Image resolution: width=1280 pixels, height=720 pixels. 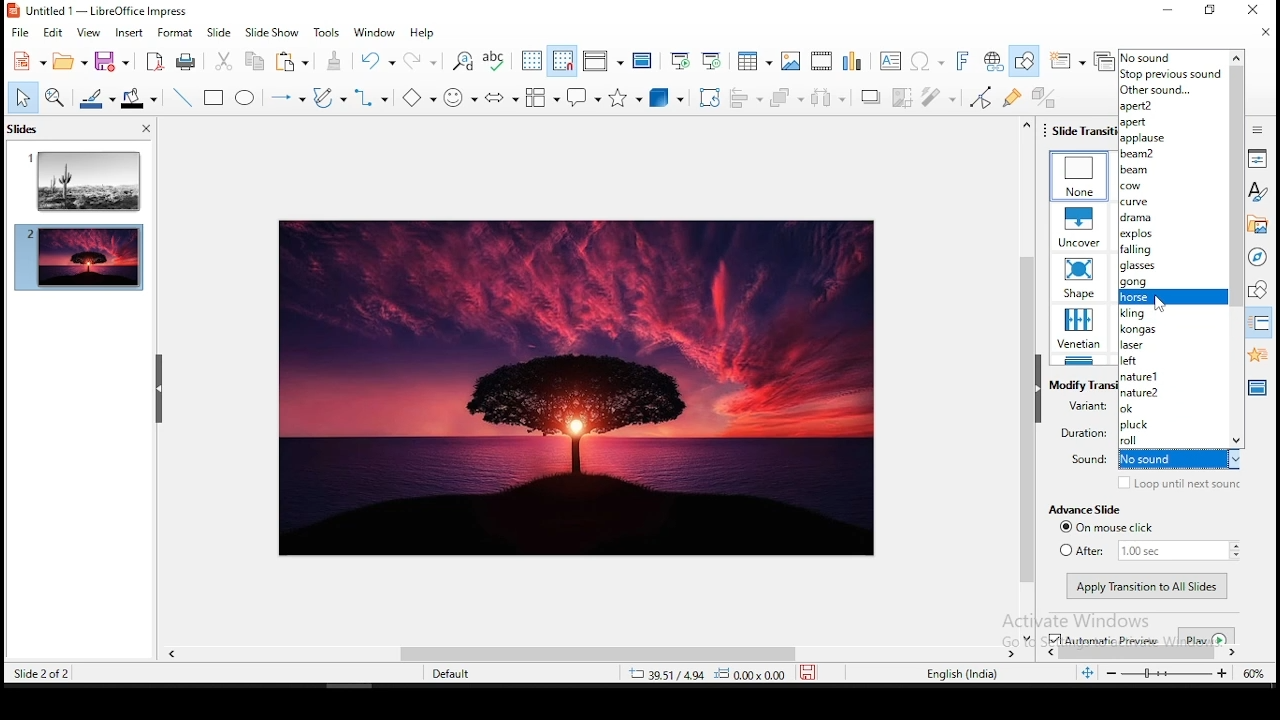 What do you see at coordinates (1172, 107) in the screenshot?
I see `apert2` at bounding box center [1172, 107].